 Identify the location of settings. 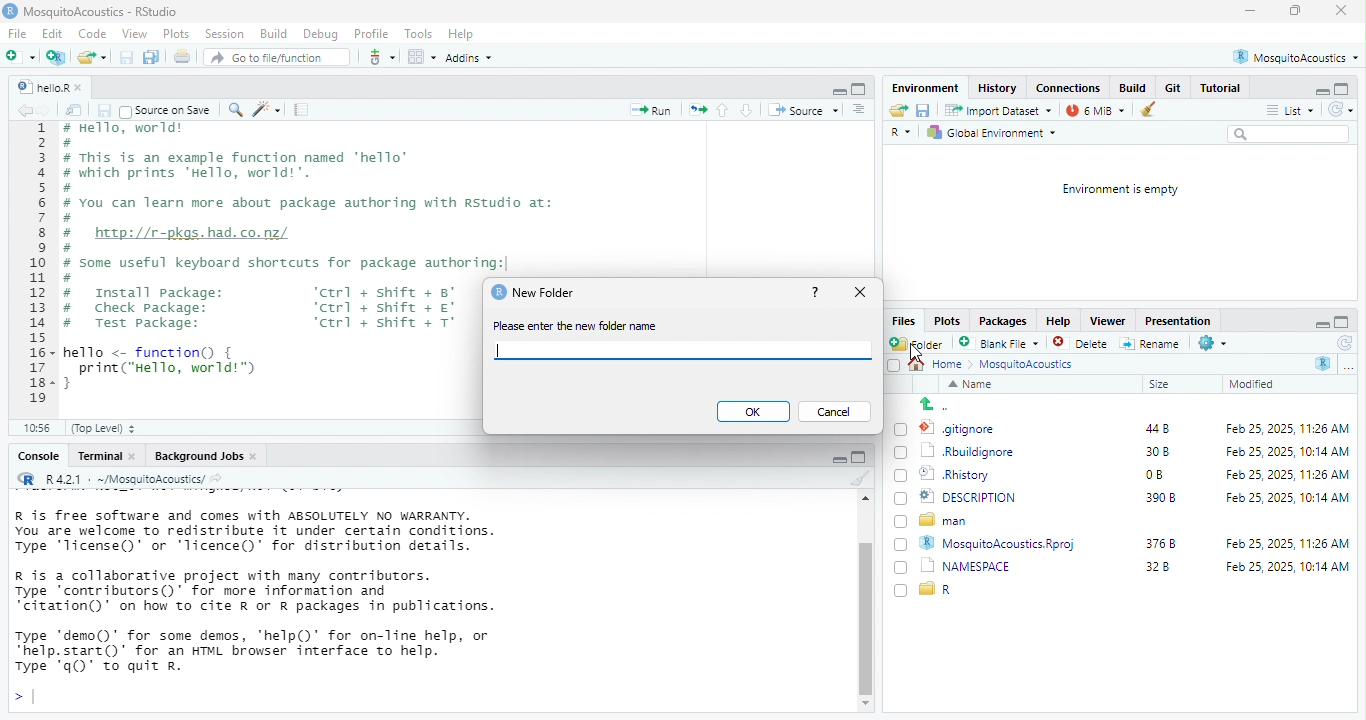
(1219, 344).